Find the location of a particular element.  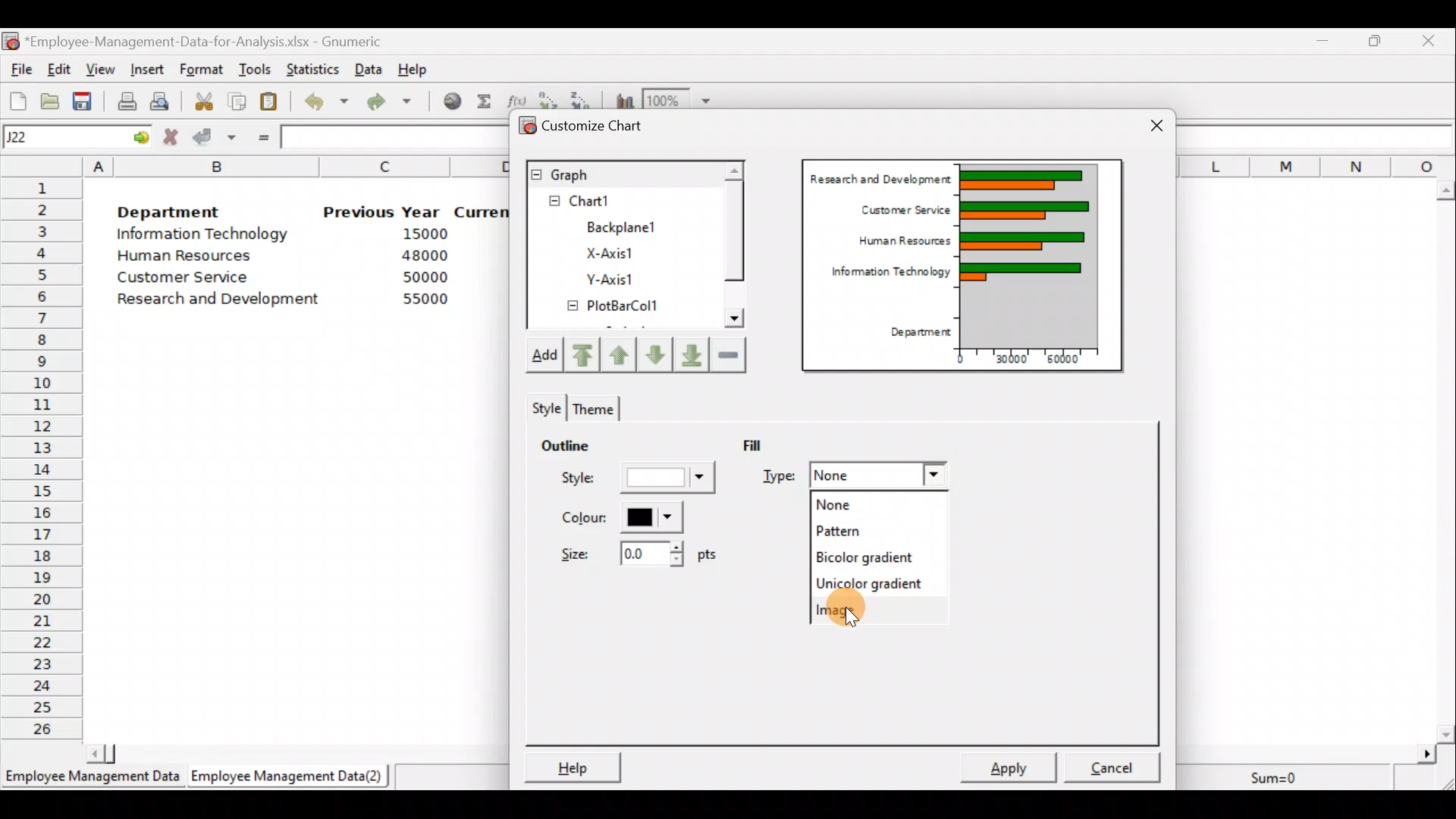

Move up is located at coordinates (620, 353).